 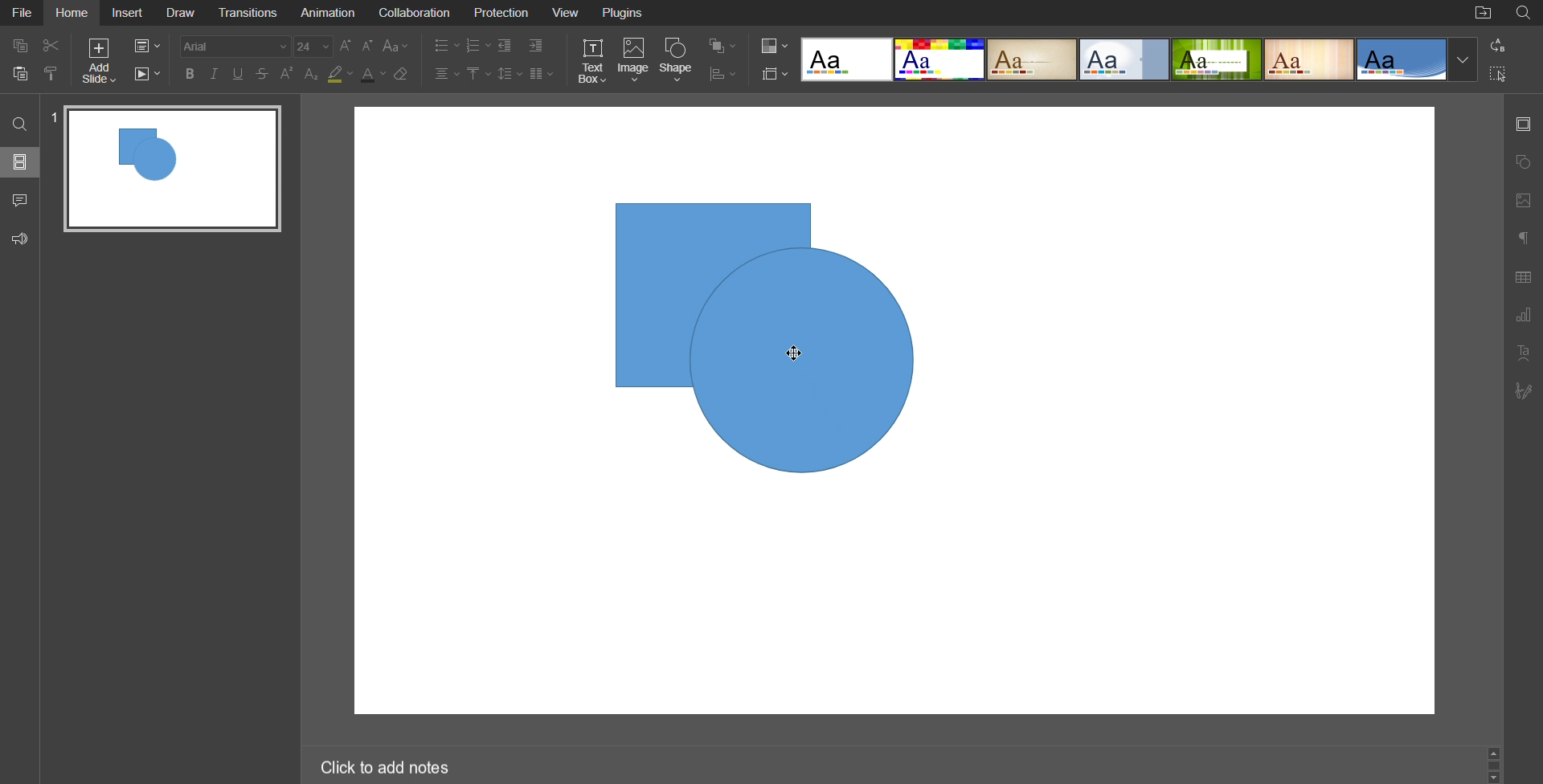 What do you see at coordinates (373, 75) in the screenshot?
I see `Text Color` at bounding box center [373, 75].